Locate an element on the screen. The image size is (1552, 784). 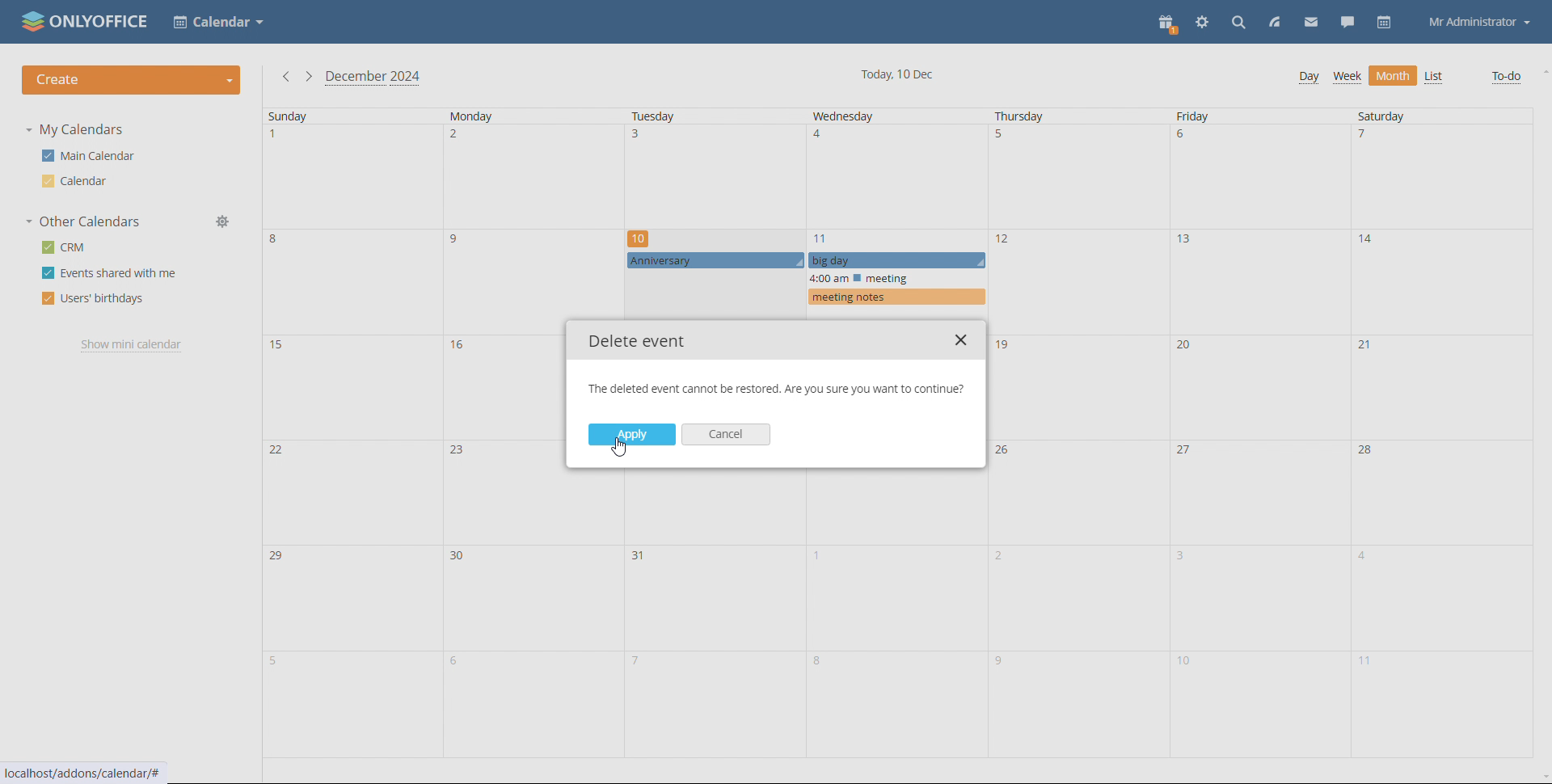
create is located at coordinates (132, 80).